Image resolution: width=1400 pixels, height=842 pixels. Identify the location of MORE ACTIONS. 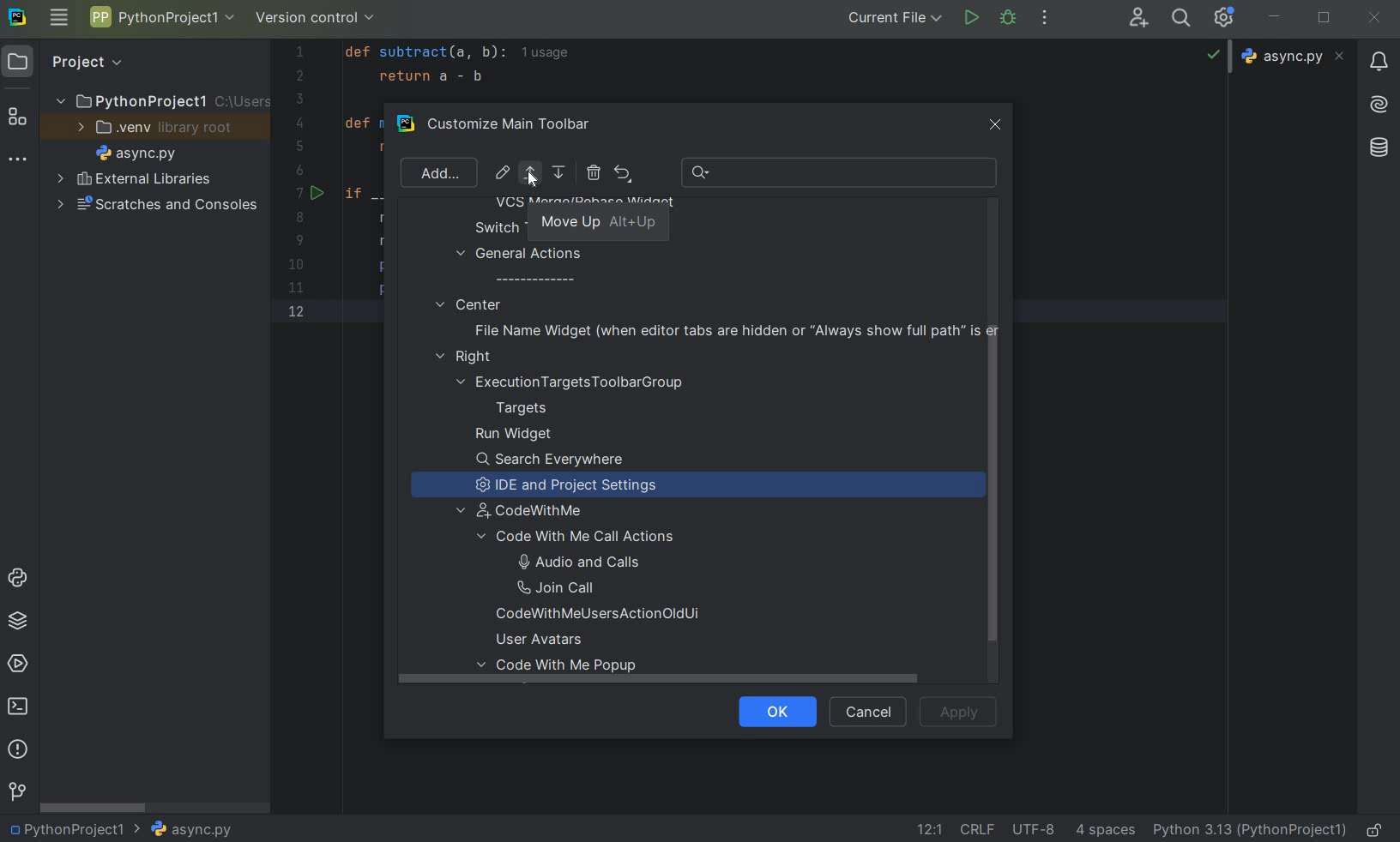
(1046, 18).